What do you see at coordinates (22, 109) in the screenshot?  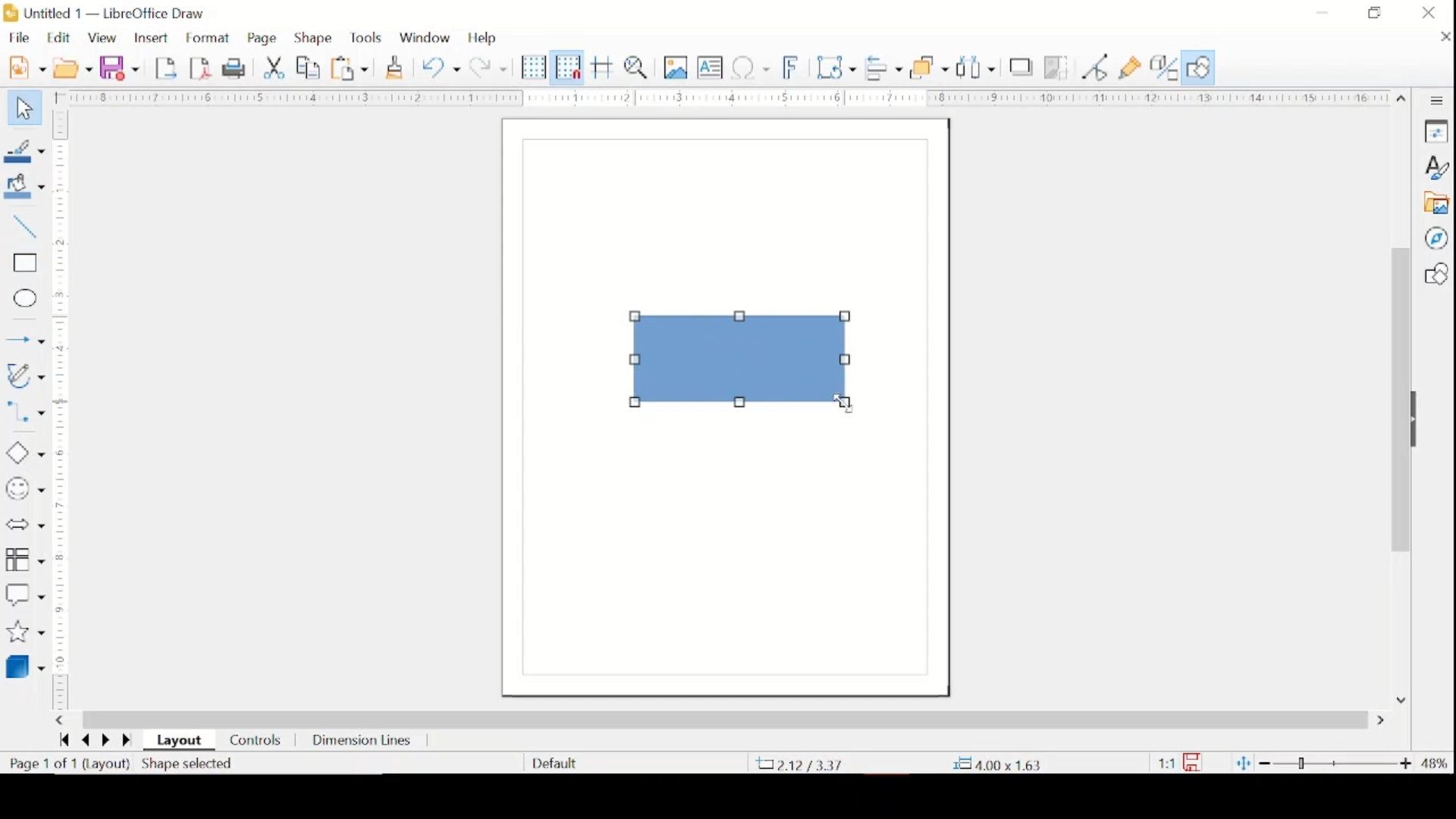 I see `select` at bounding box center [22, 109].